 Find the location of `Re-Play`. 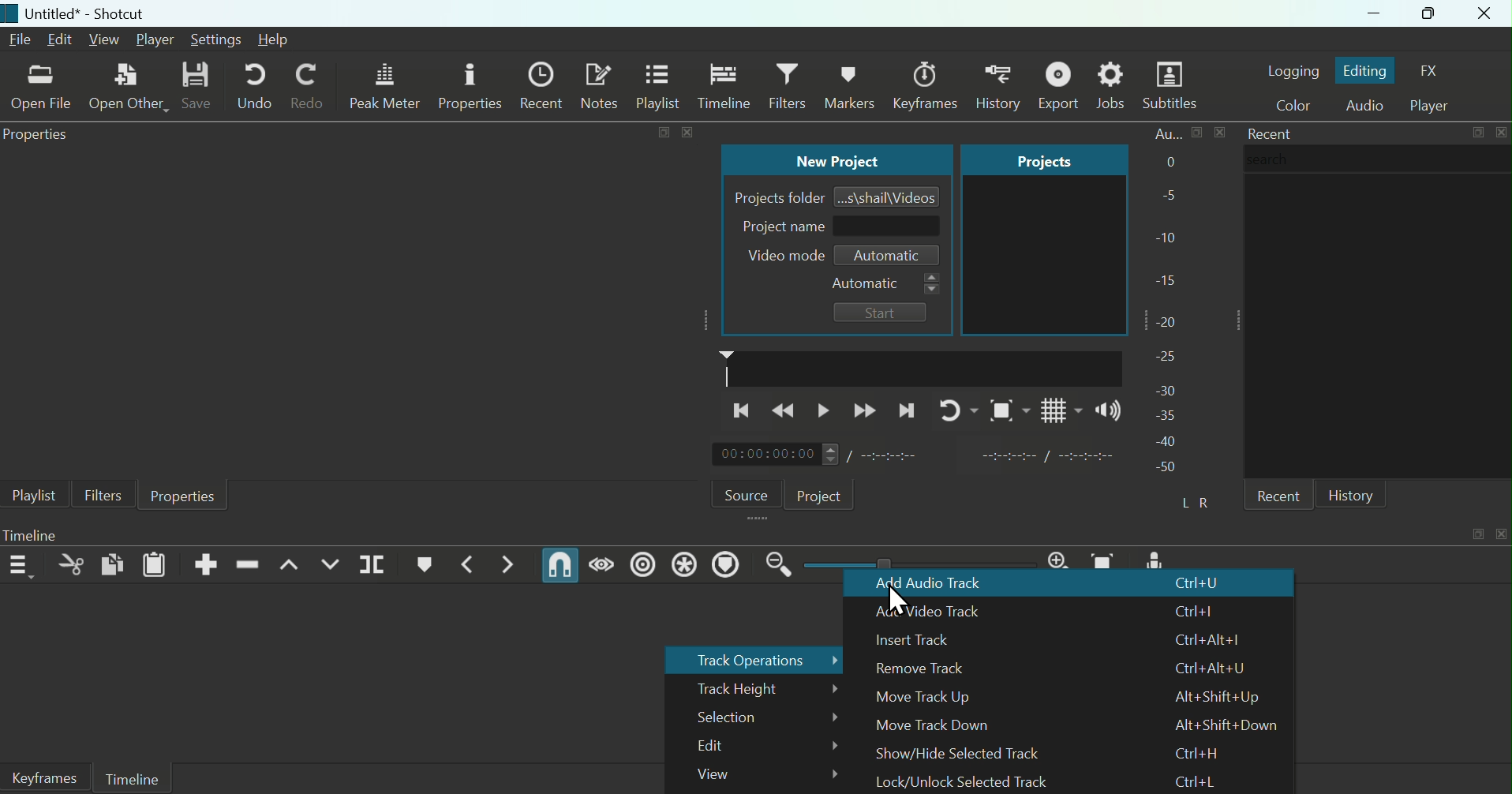

Re-Play is located at coordinates (951, 408).